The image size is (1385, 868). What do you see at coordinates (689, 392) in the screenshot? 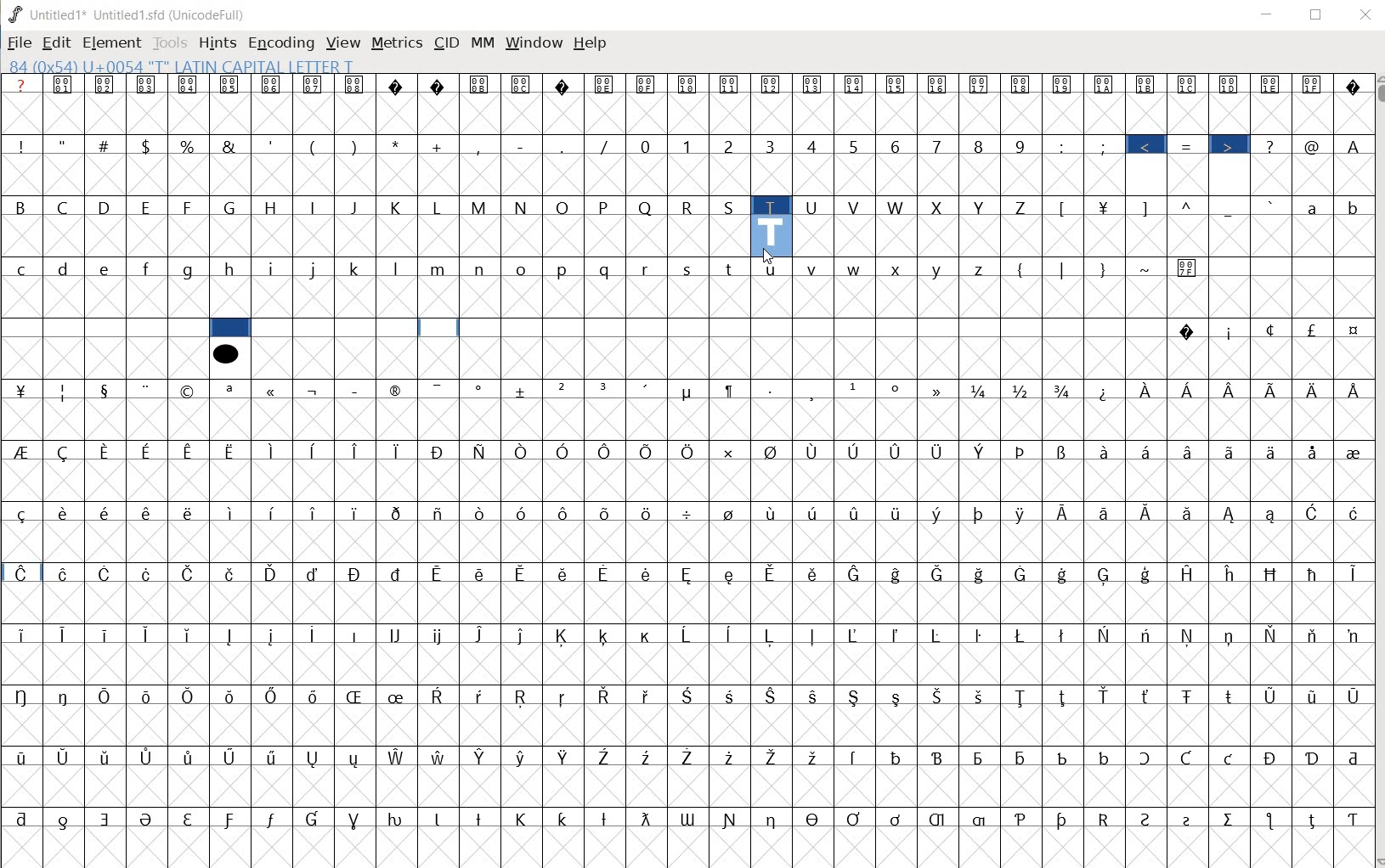
I see `Symbol` at bounding box center [689, 392].